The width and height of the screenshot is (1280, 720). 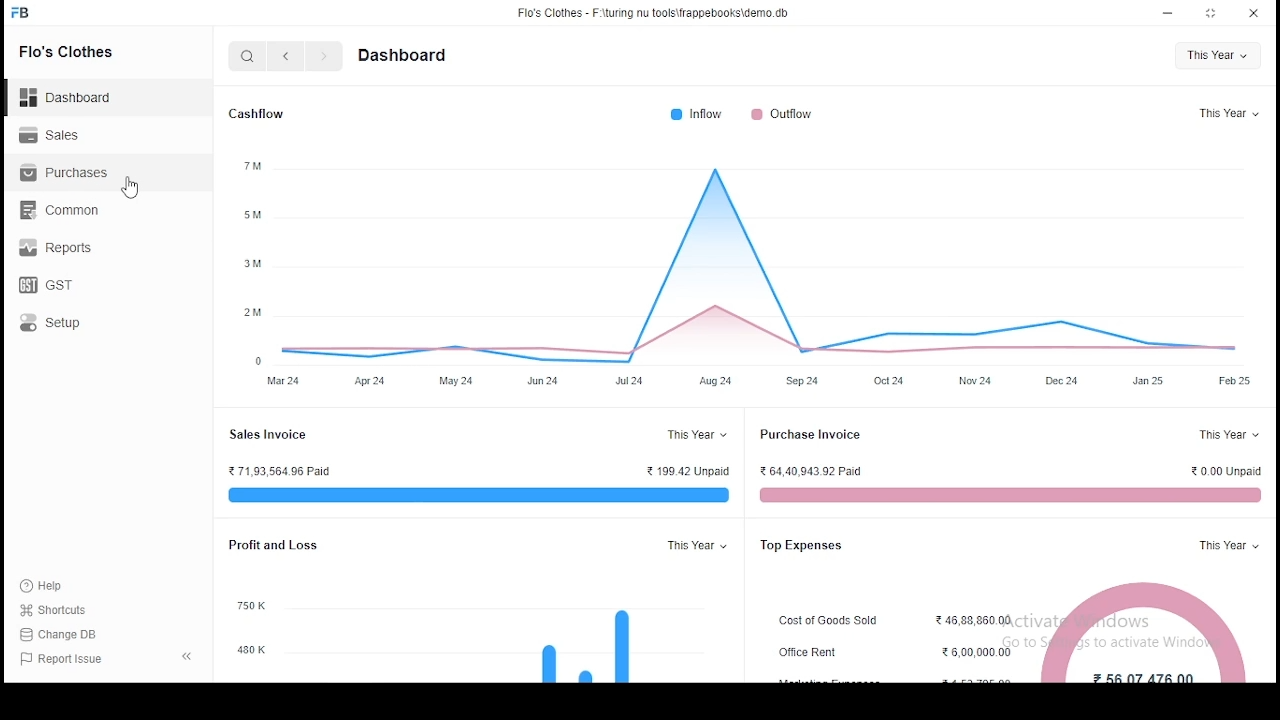 What do you see at coordinates (1227, 471) in the screenshot?
I see `0.00 unpaid` at bounding box center [1227, 471].